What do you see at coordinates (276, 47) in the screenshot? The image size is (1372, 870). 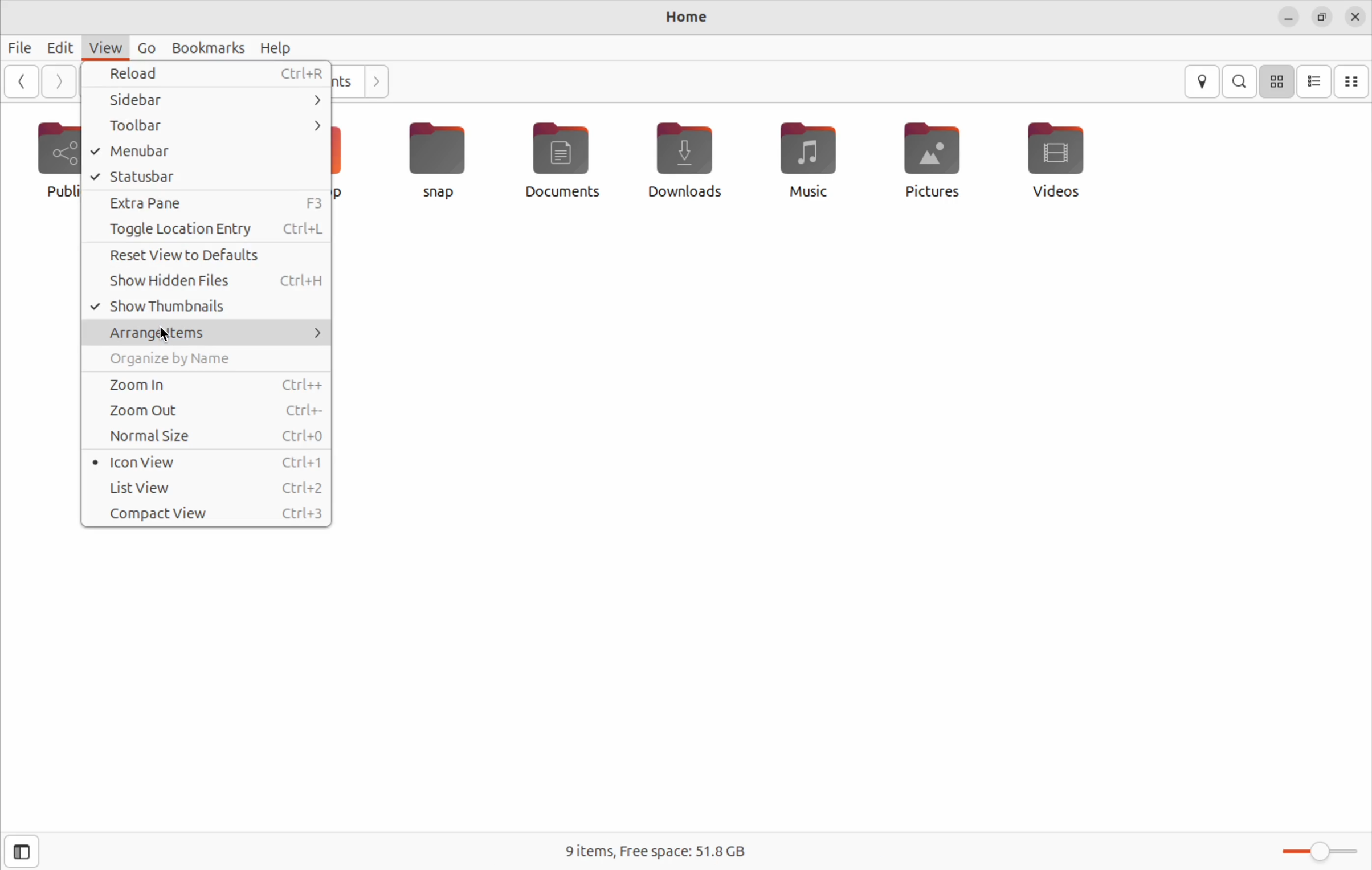 I see `help ` at bounding box center [276, 47].